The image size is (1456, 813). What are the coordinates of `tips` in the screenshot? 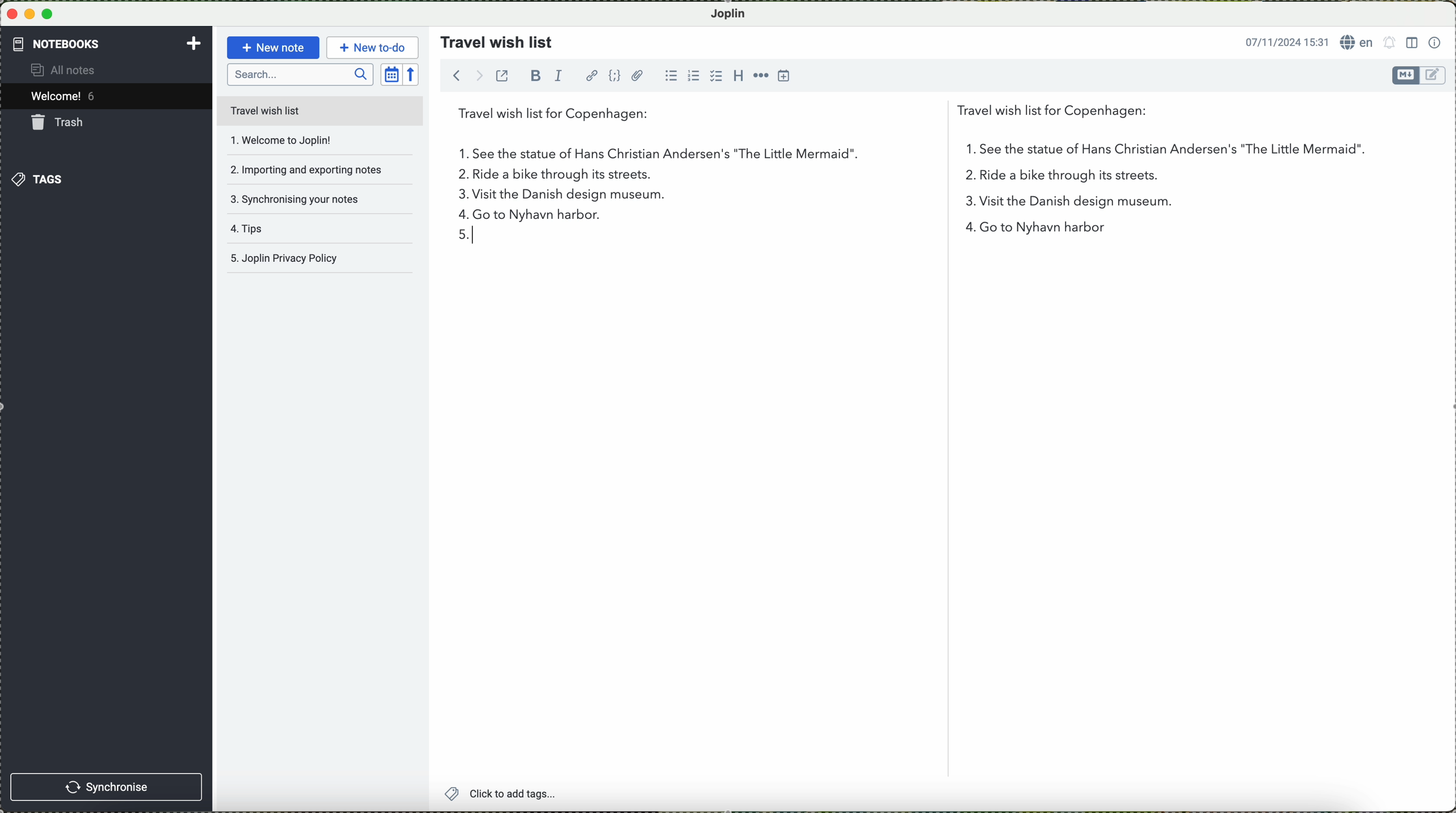 It's located at (298, 233).